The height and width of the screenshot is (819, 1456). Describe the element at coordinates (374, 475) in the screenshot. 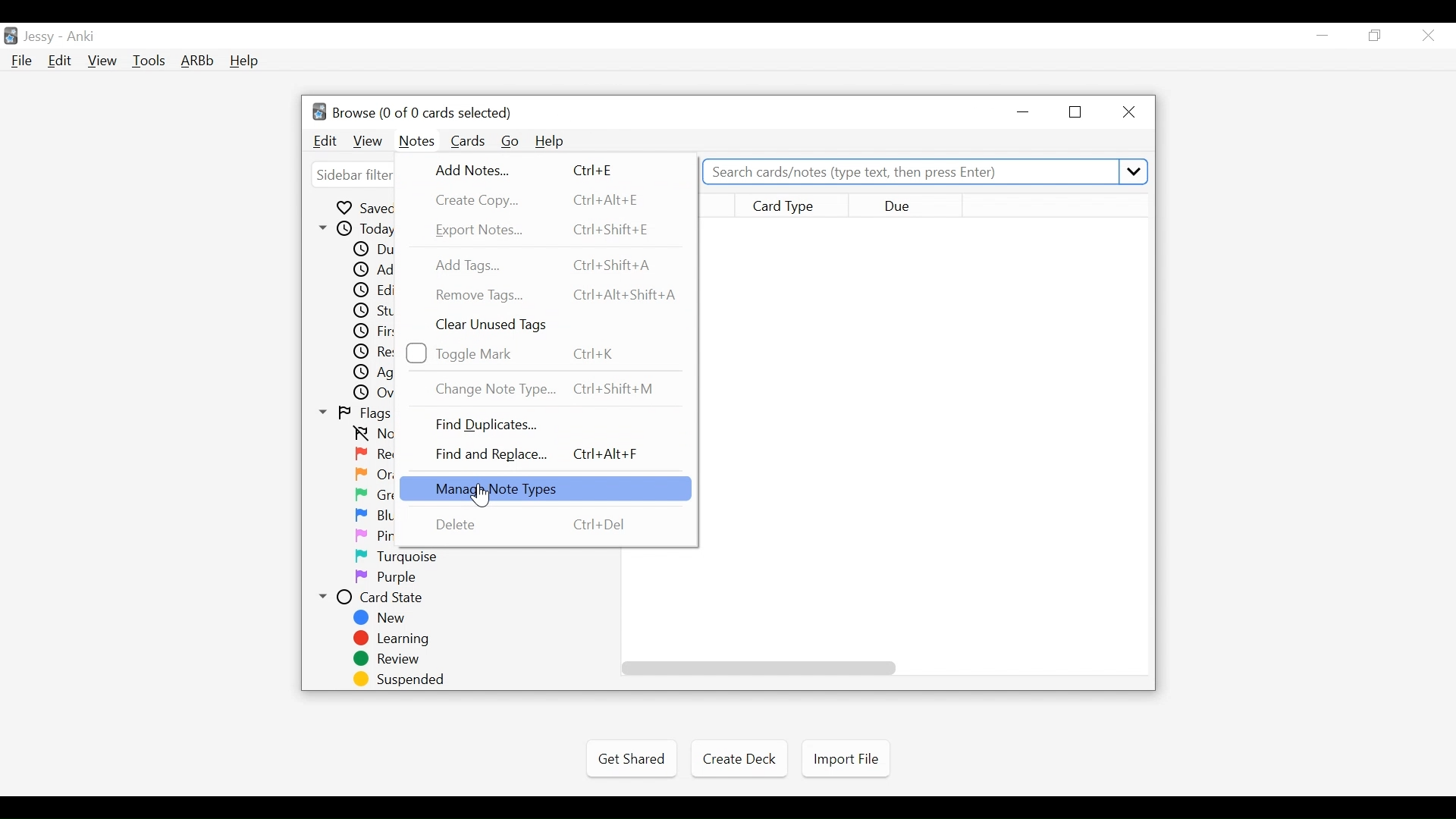

I see `Orange` at that location.